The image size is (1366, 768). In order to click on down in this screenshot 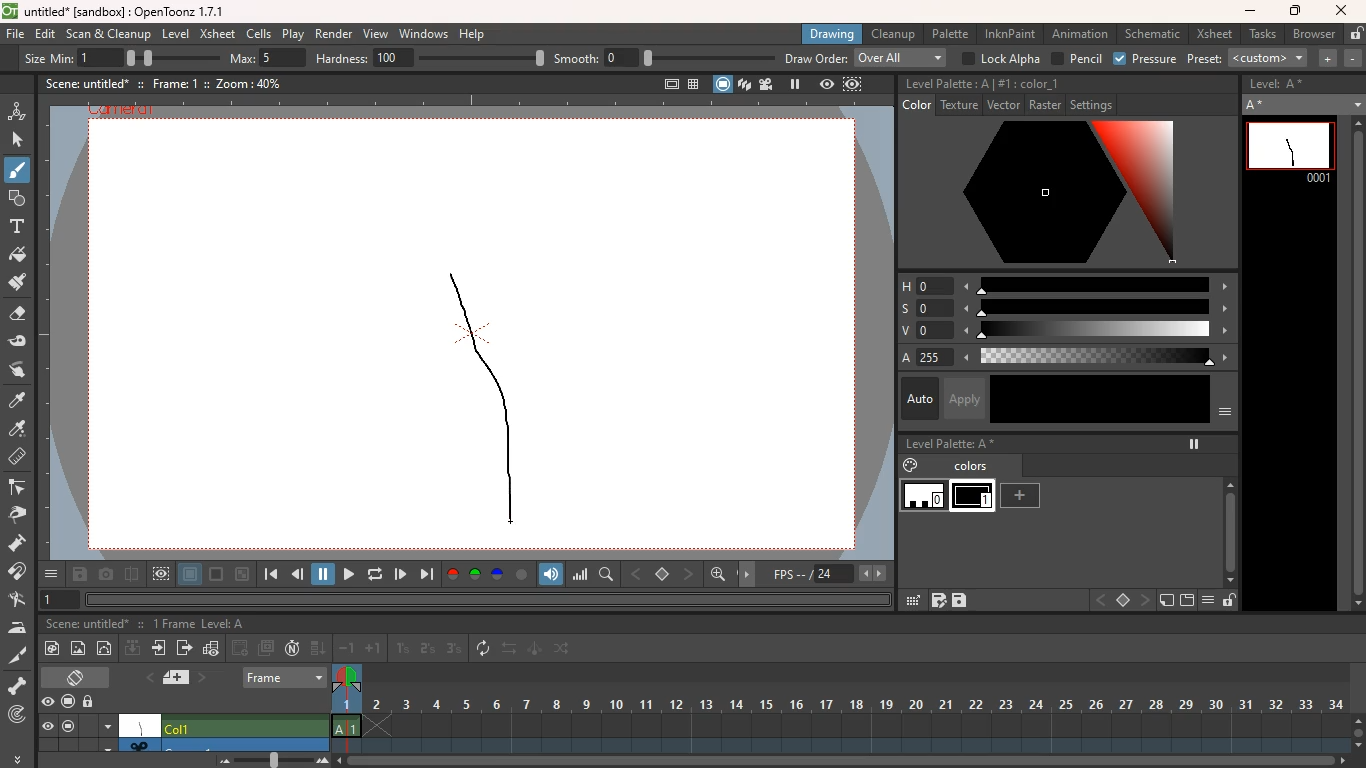, I will do `click(132, 650)`.